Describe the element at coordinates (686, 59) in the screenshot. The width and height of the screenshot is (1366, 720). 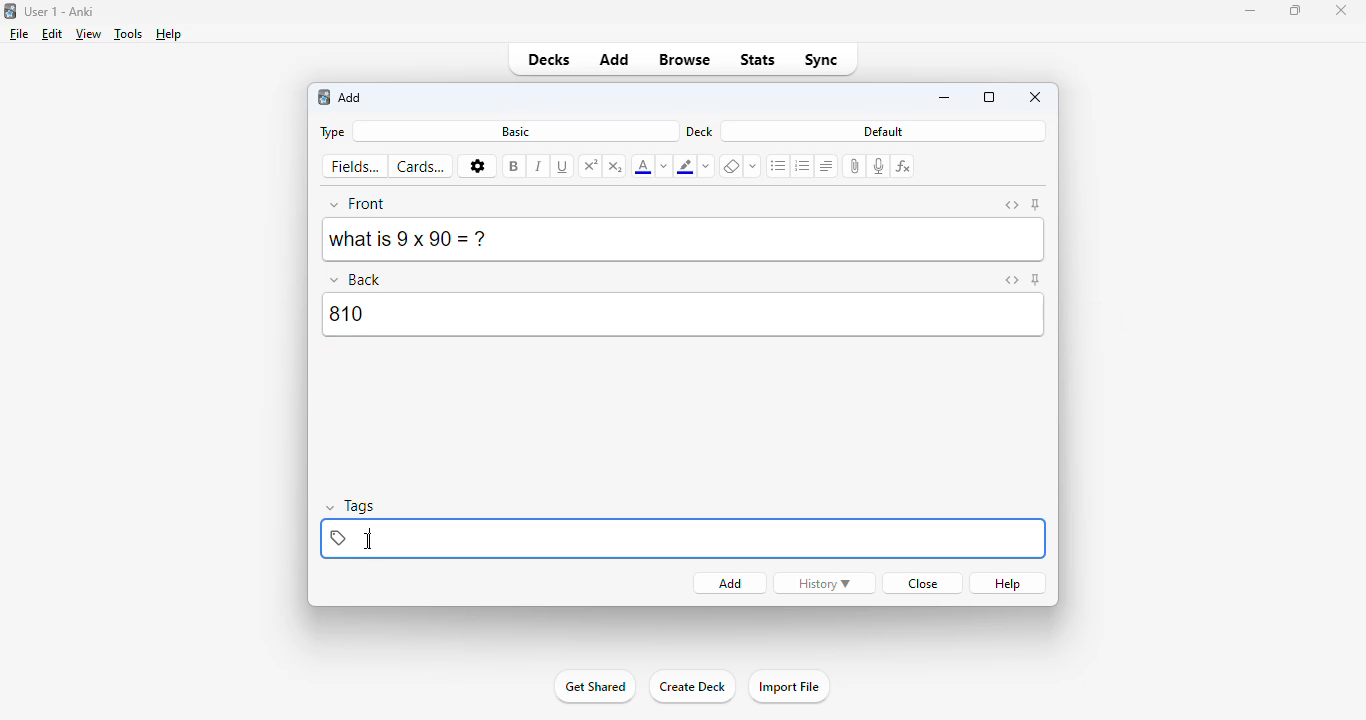
I see `browse` at that location.